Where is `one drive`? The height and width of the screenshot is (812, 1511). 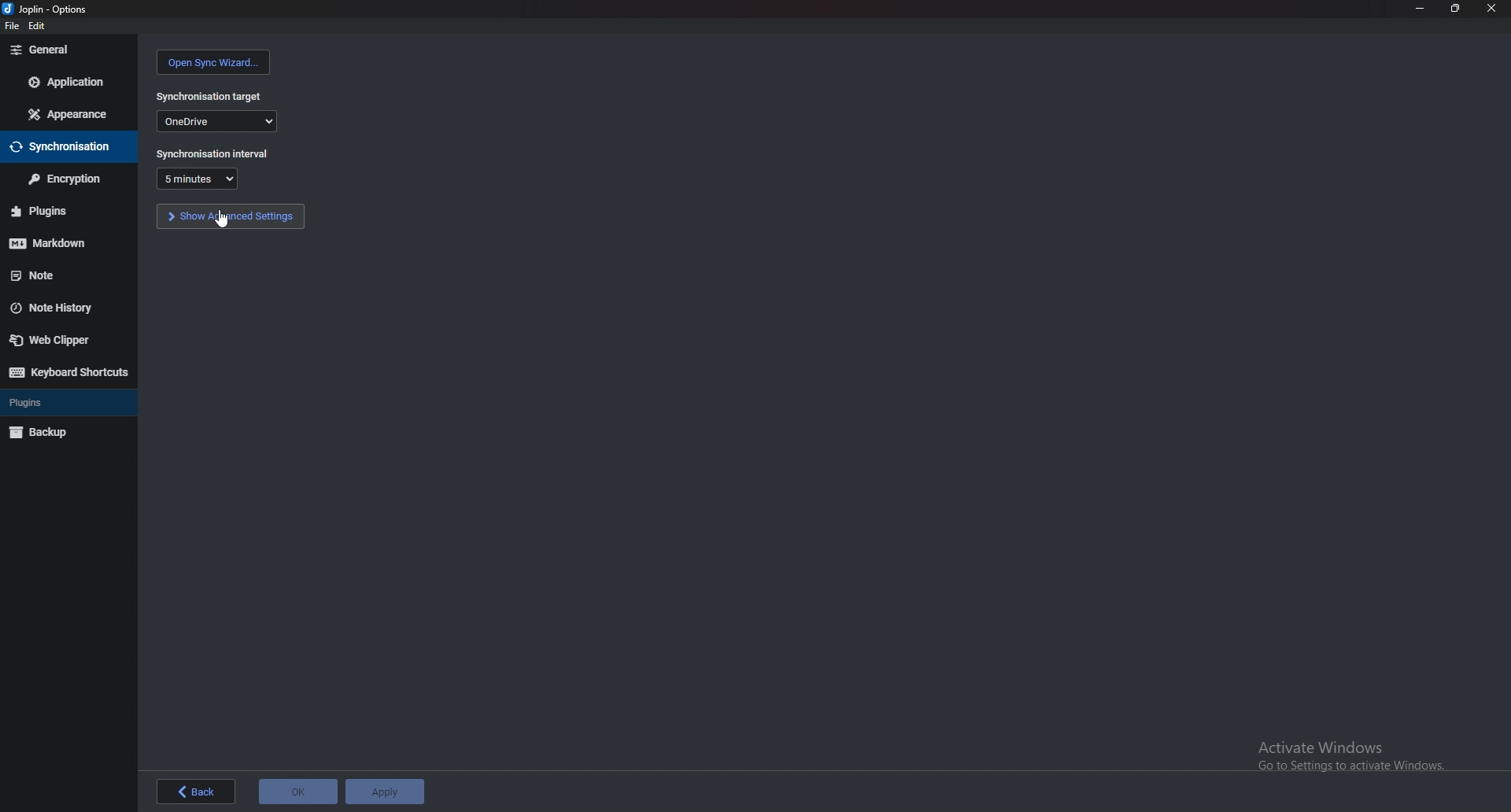
one drive is located at coordinates (217, 121).